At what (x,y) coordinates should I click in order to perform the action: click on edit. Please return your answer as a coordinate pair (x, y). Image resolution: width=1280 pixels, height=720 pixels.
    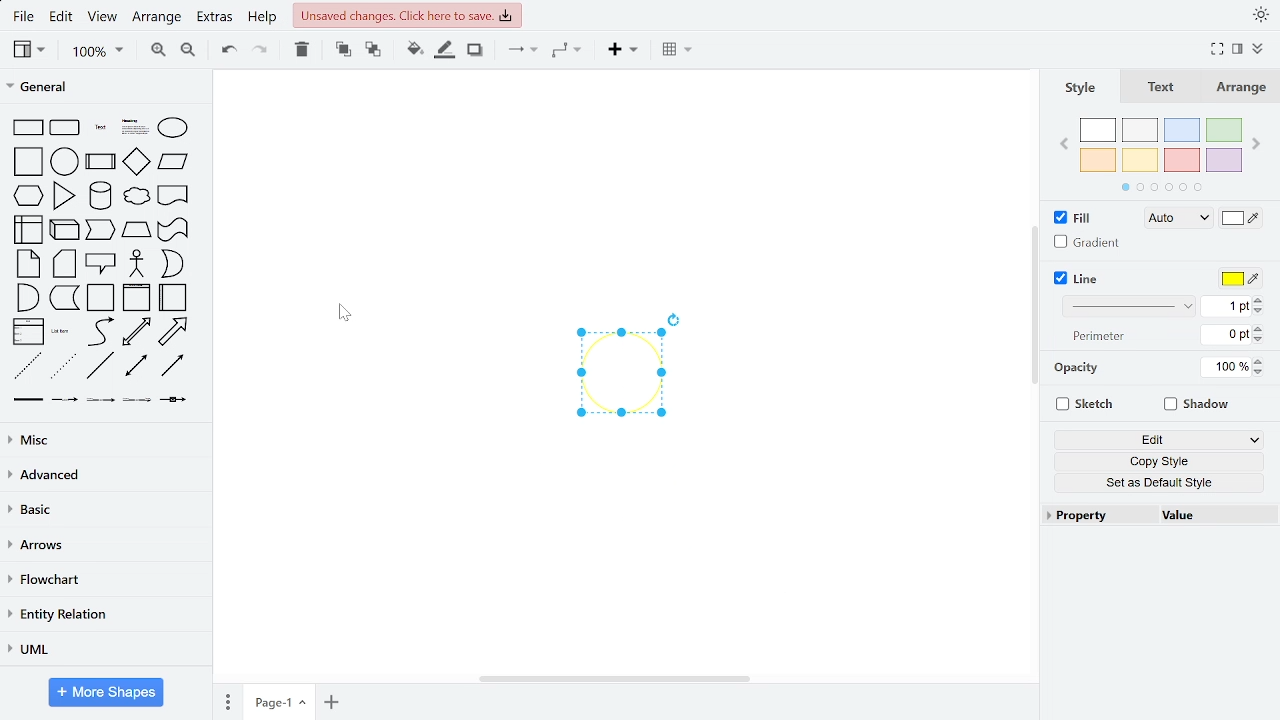
    Looking at the image, I should click on (62, 19).